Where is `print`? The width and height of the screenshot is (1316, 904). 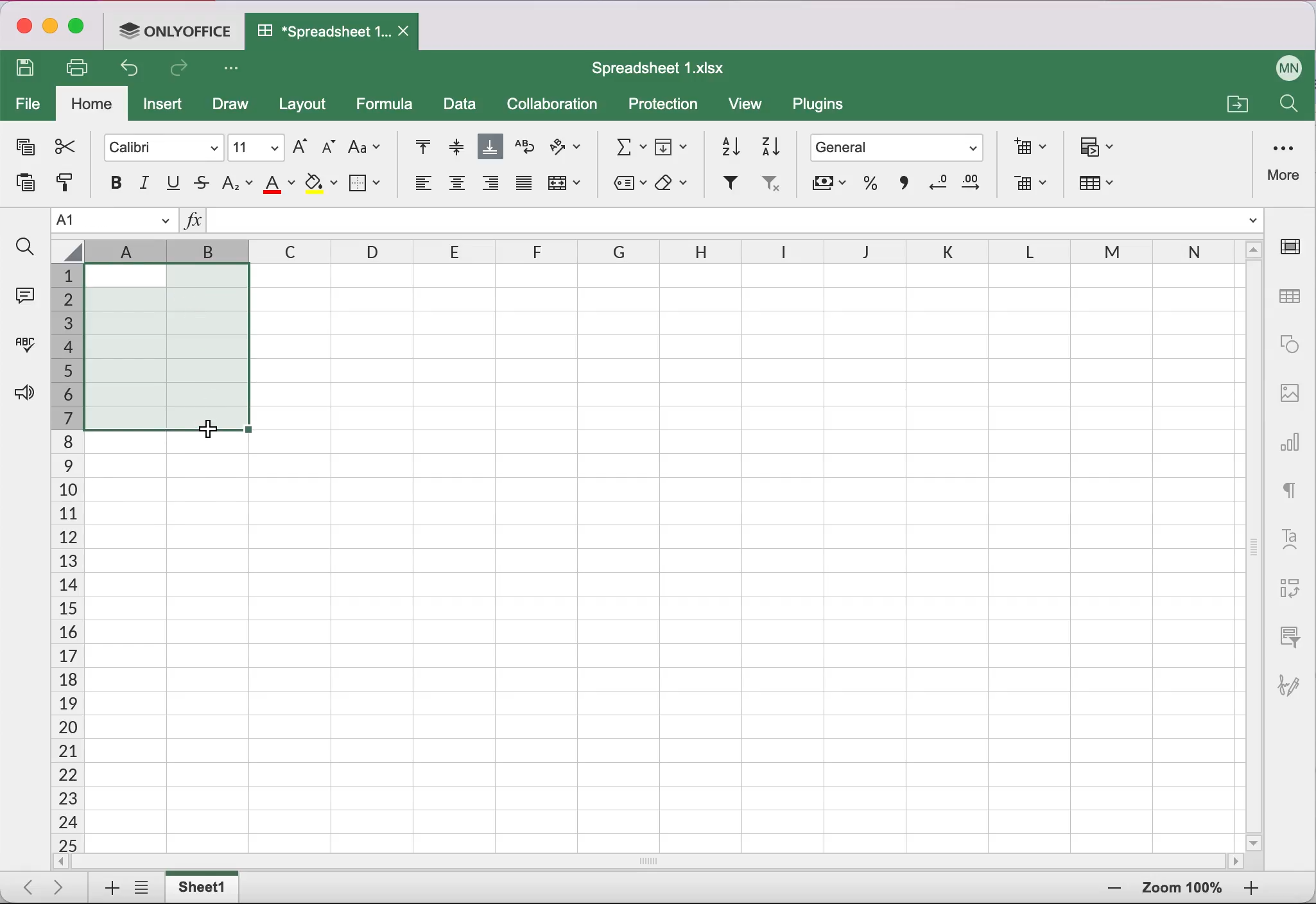
print is located at coordinates (82, 67).